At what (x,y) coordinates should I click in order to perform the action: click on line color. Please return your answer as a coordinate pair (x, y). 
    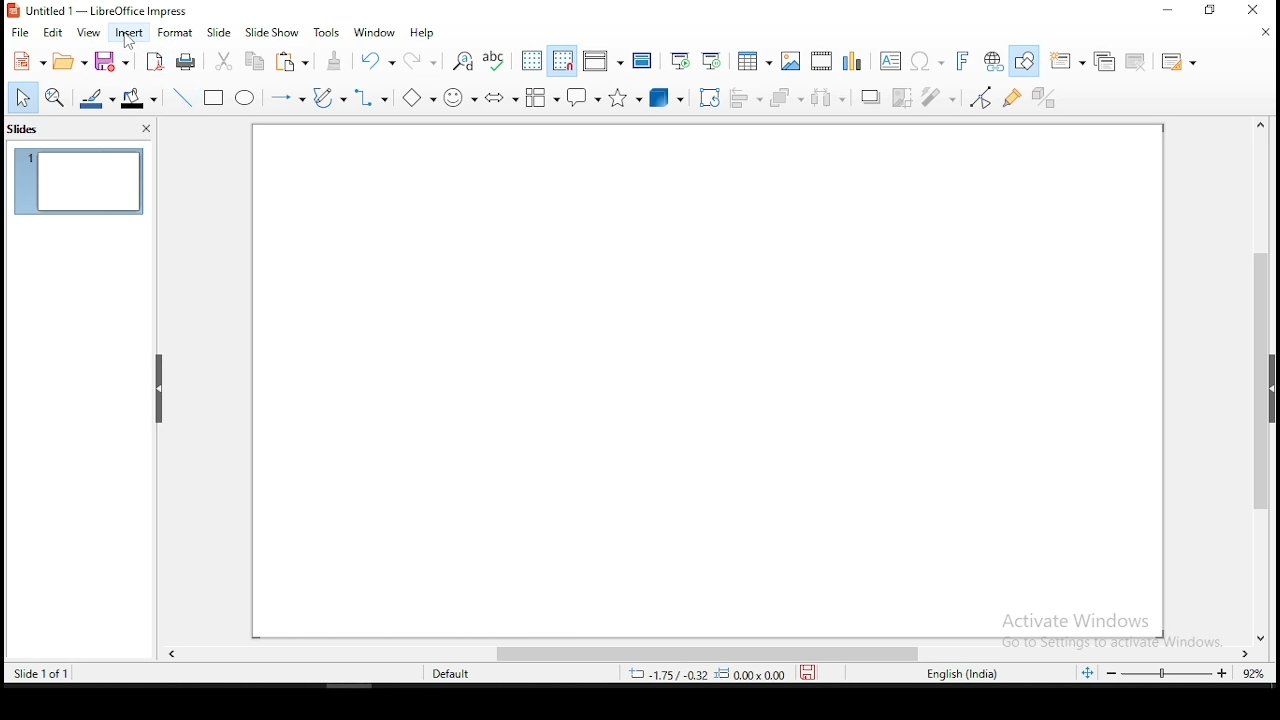
    Looking at the image, I should click on (98, 98).